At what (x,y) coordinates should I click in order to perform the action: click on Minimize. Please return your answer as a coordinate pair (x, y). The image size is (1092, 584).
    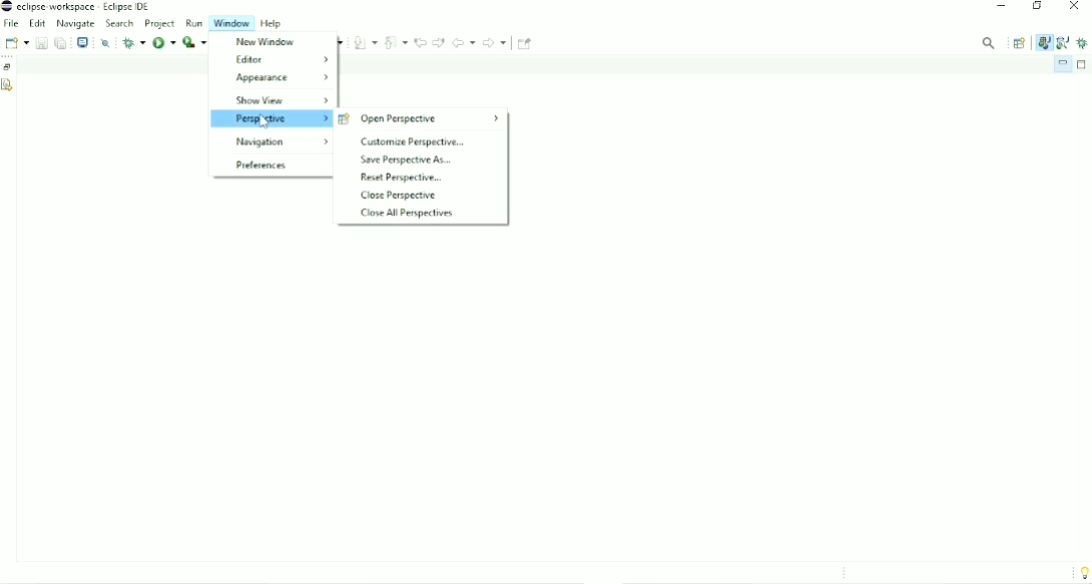
    Looking at the image, I should click on (1062, 64).